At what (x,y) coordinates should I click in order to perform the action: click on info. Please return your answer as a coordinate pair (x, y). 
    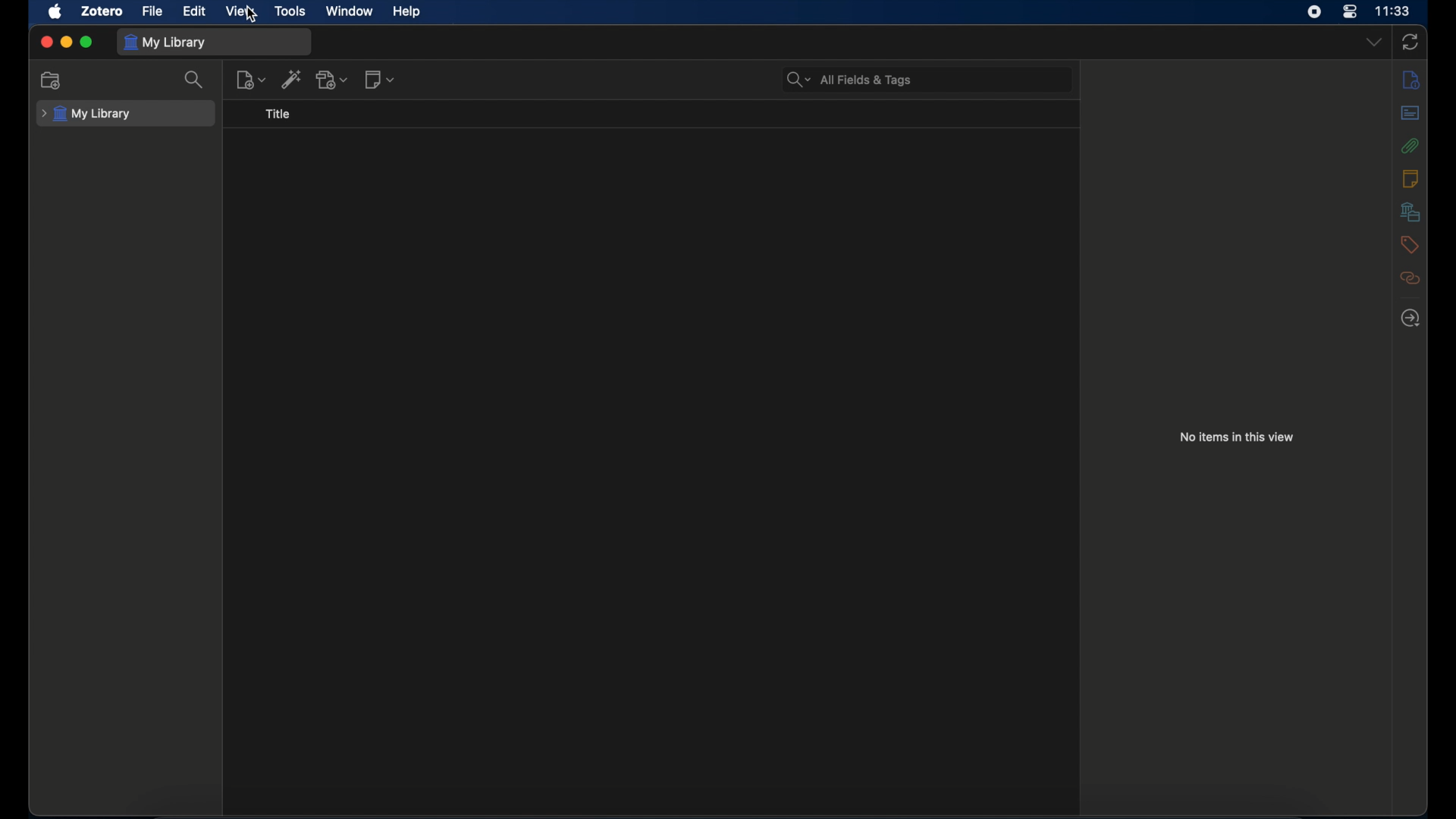
    Looking at the image, I should click on (1411, 80).